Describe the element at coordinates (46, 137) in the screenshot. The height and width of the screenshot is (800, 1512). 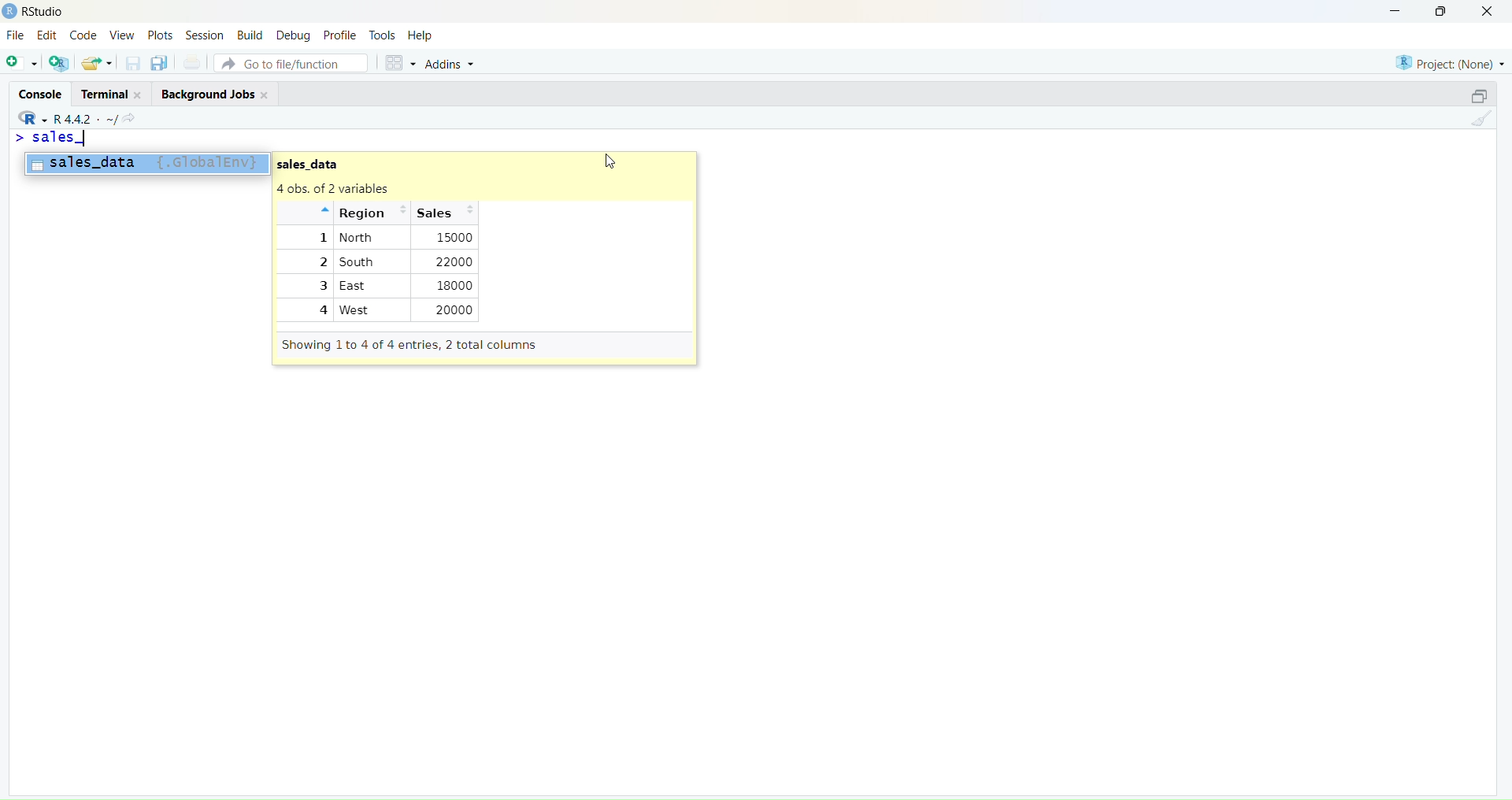
I see `> sales` at that location.